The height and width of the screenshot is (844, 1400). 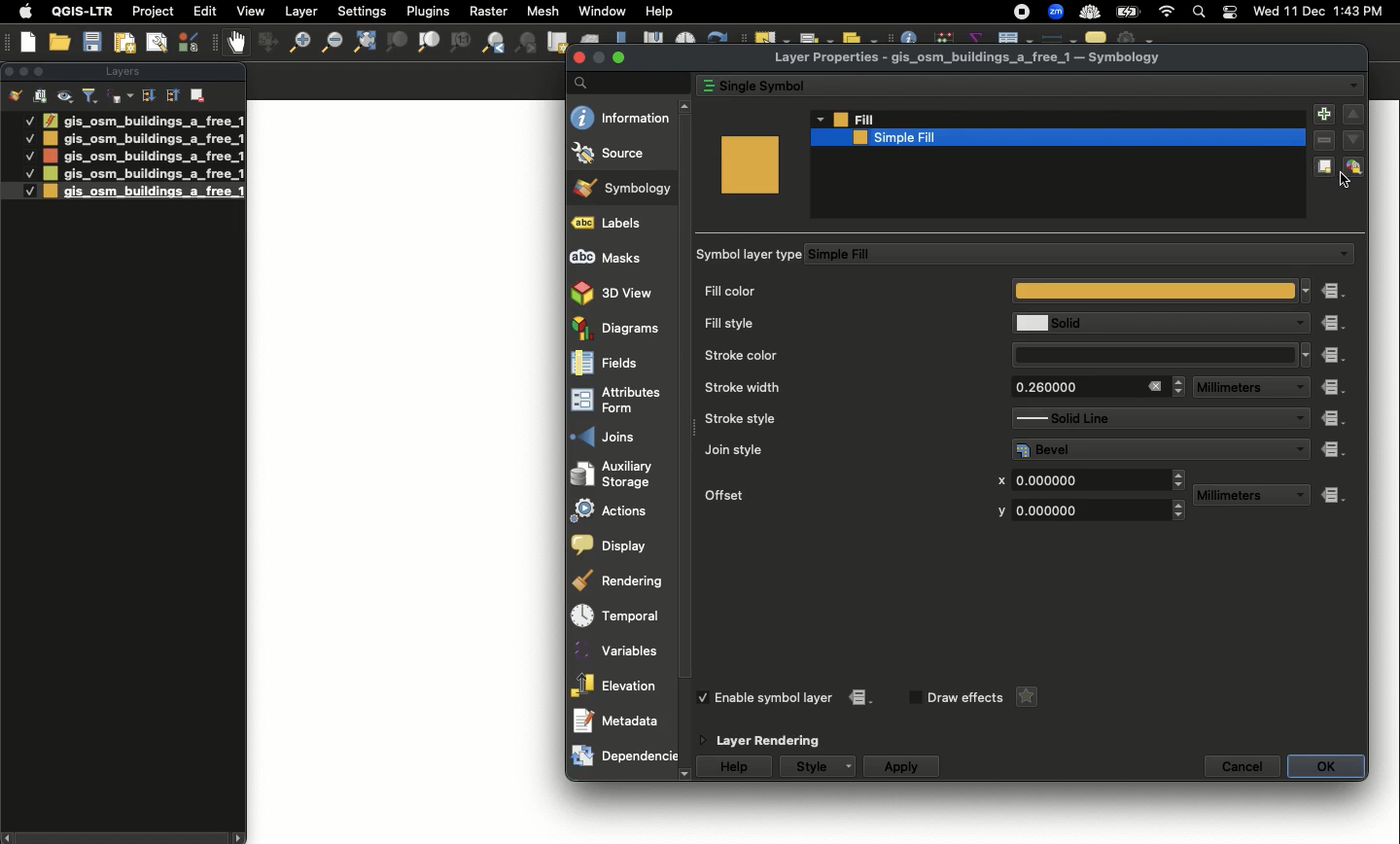 I want to click on Variables, so click(x=619, y=651).